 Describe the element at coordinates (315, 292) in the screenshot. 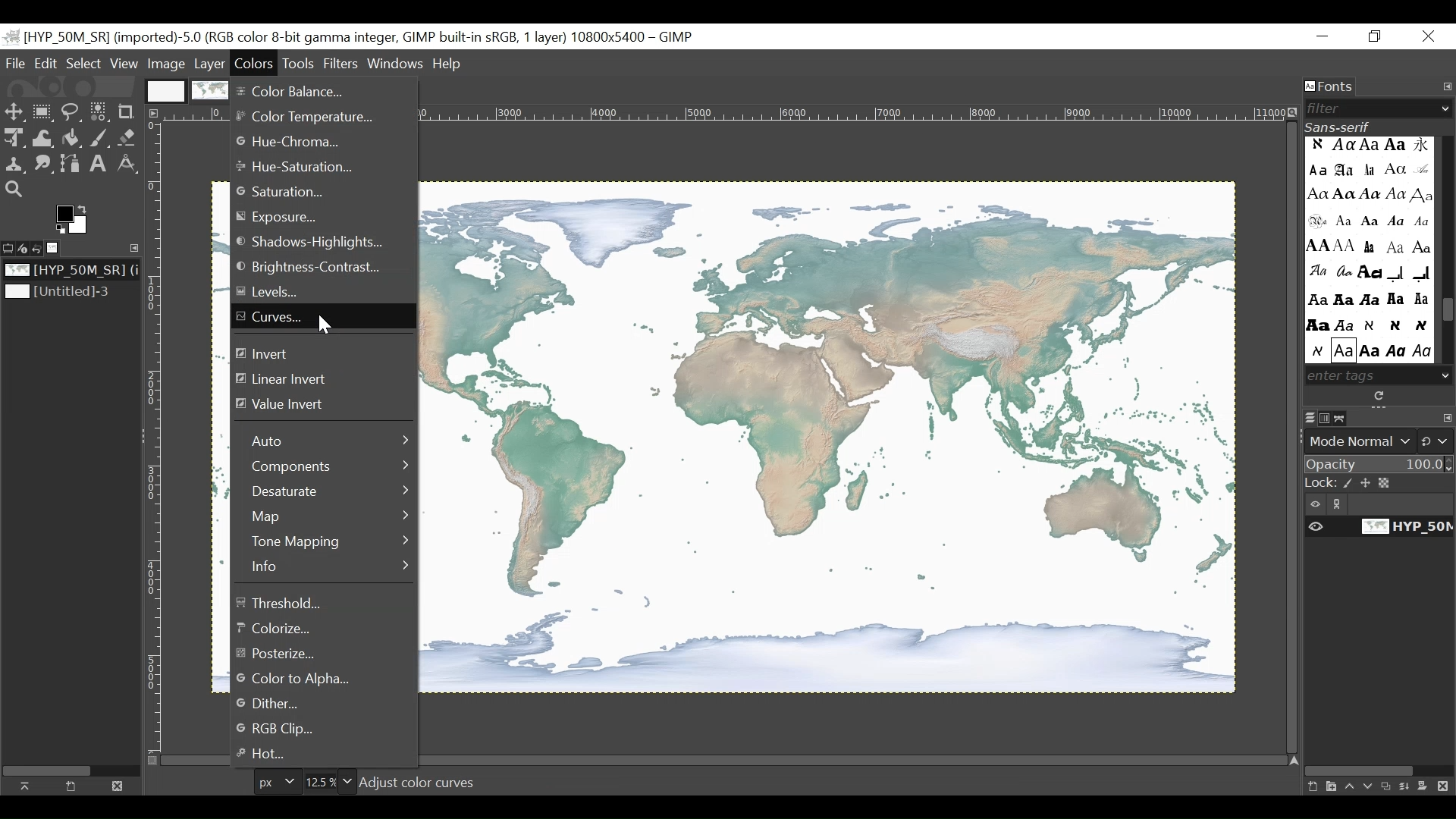

I see `Levels` at that location.